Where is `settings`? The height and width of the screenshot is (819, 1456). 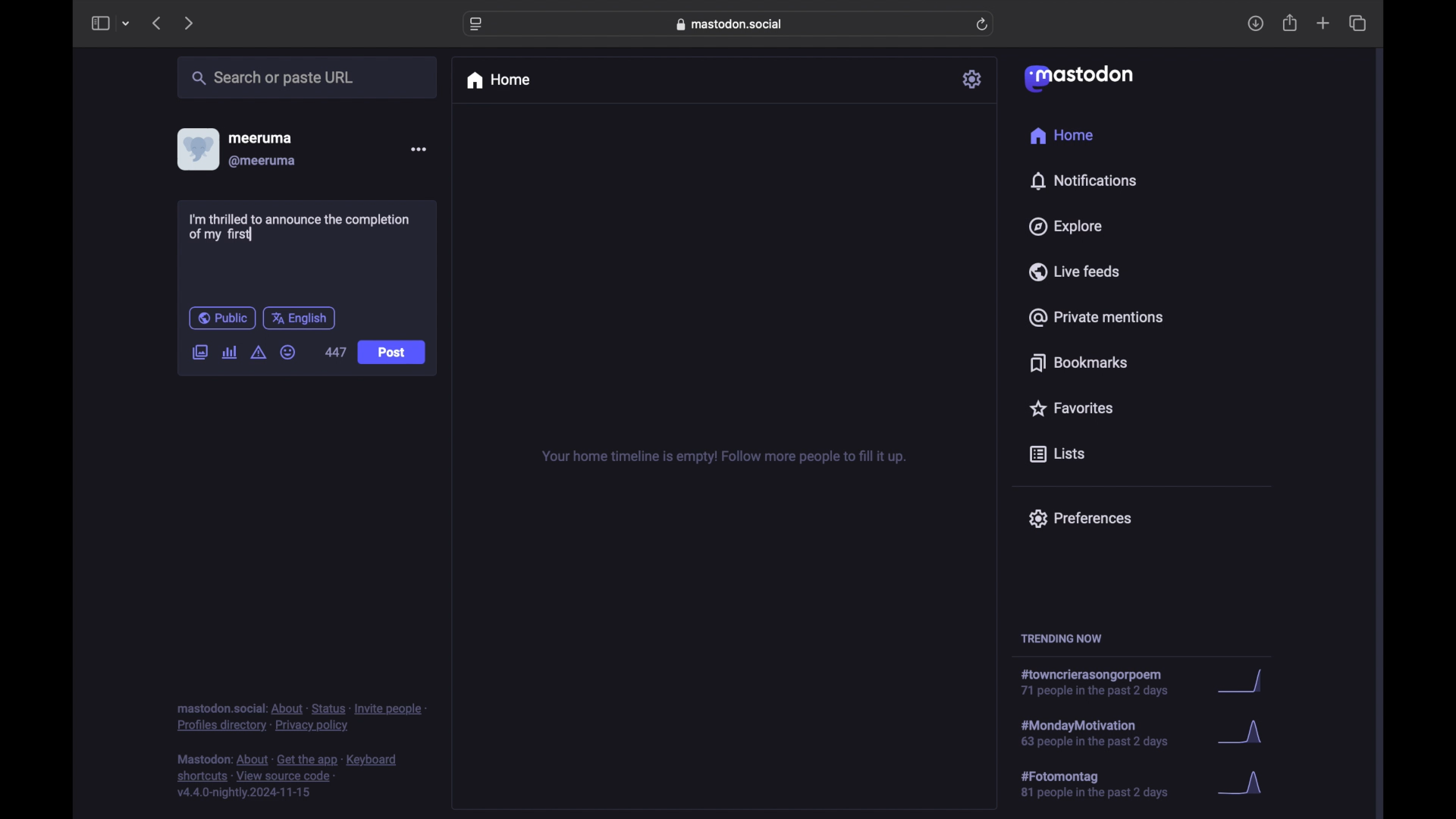
settings is located at coordinates (973, 79).